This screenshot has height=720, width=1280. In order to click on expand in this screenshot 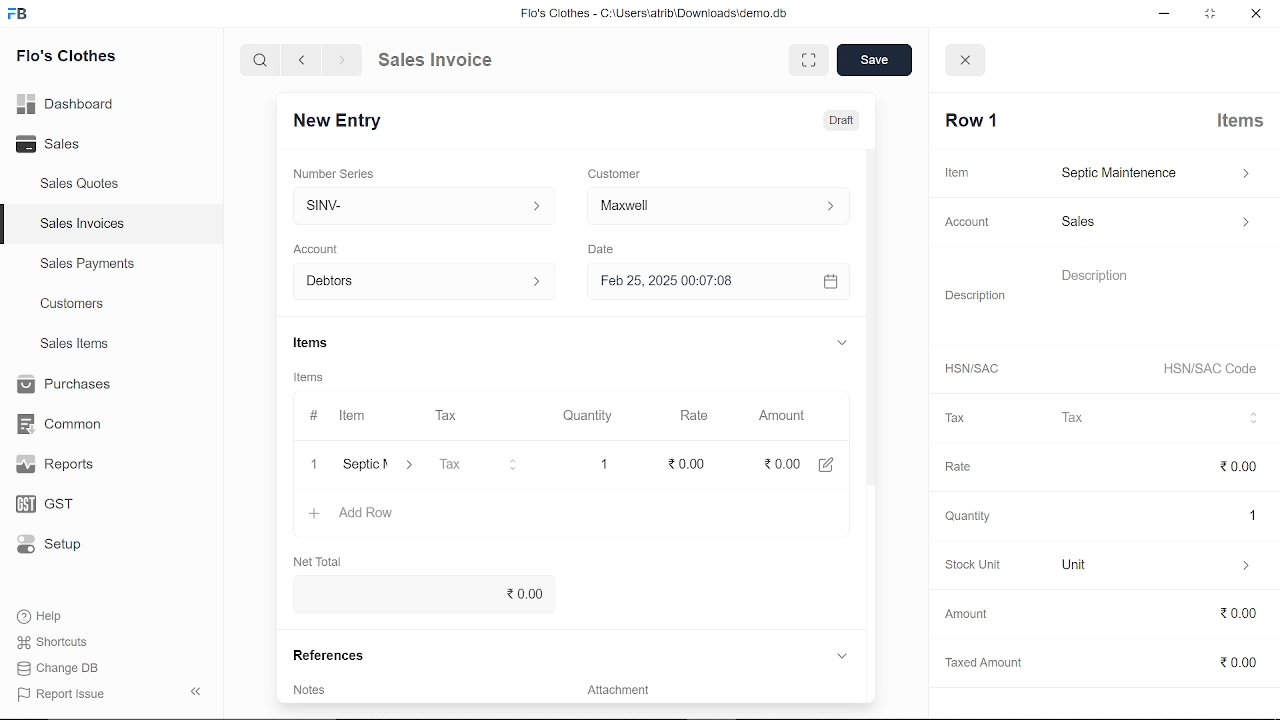, I will do `click(841, 342)`.